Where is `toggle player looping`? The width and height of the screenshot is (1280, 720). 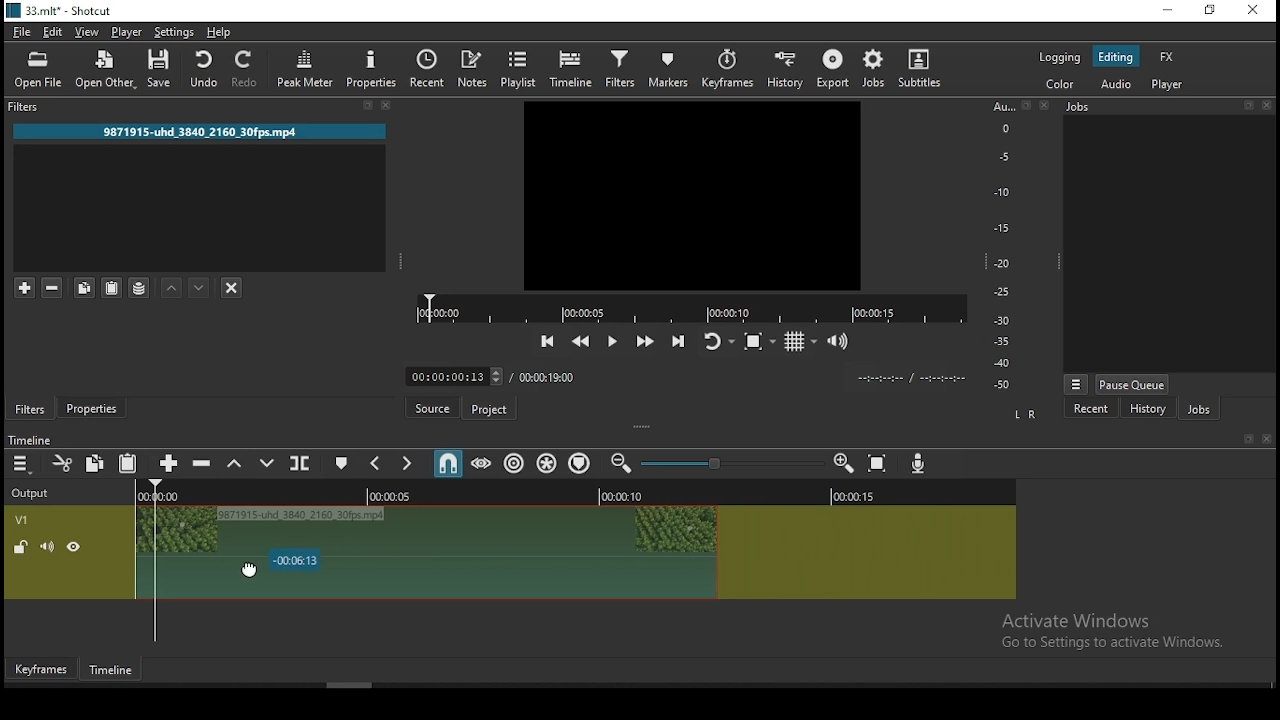 toggle player looping is located at coordinates (717, 342).